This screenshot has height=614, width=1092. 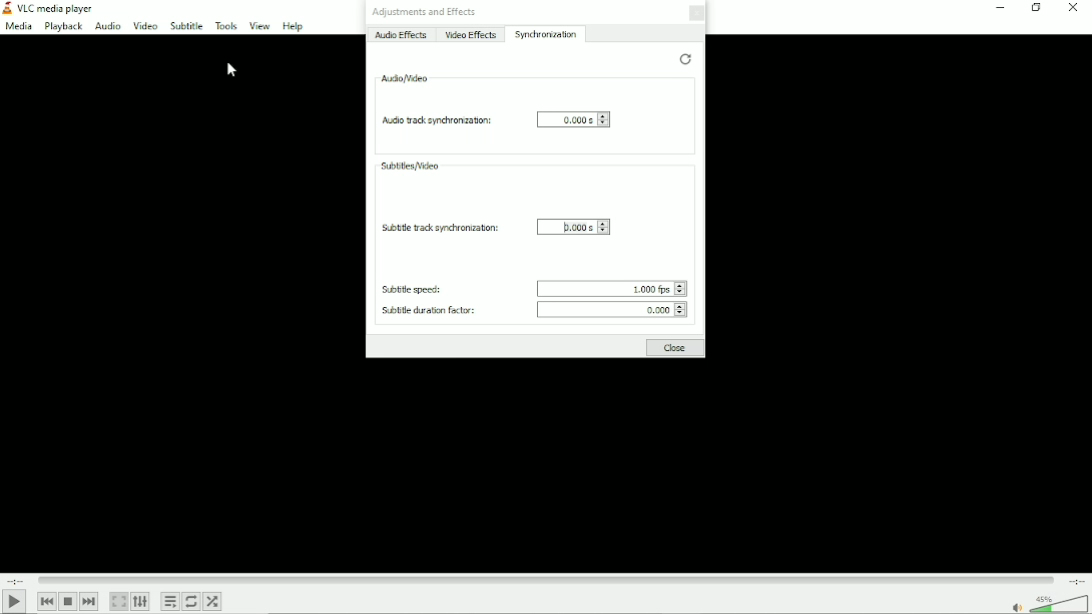 What do you see at coordinates (48, 8) in the screenshot?
I see `VLC media player` at bounding box center [48, 8].